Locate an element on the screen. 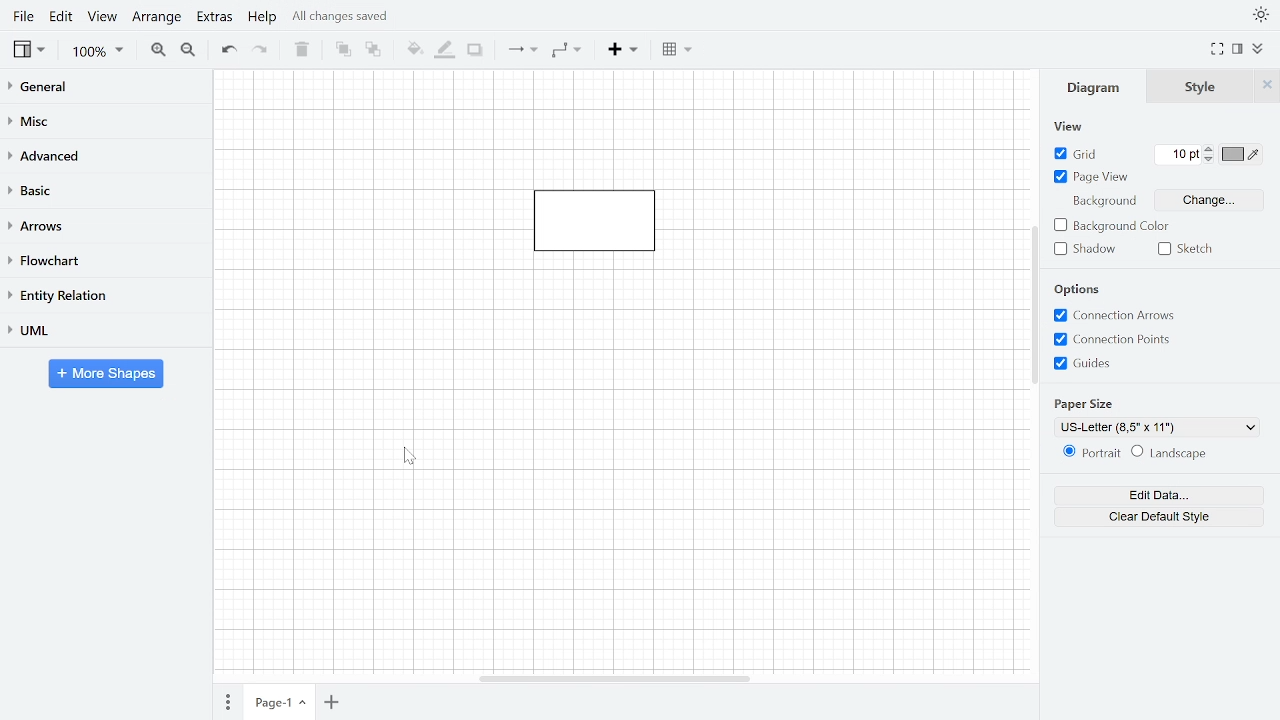 The width and height of the screenshot is (1280, 720). Connection points is located at coordinates (1118, 339).